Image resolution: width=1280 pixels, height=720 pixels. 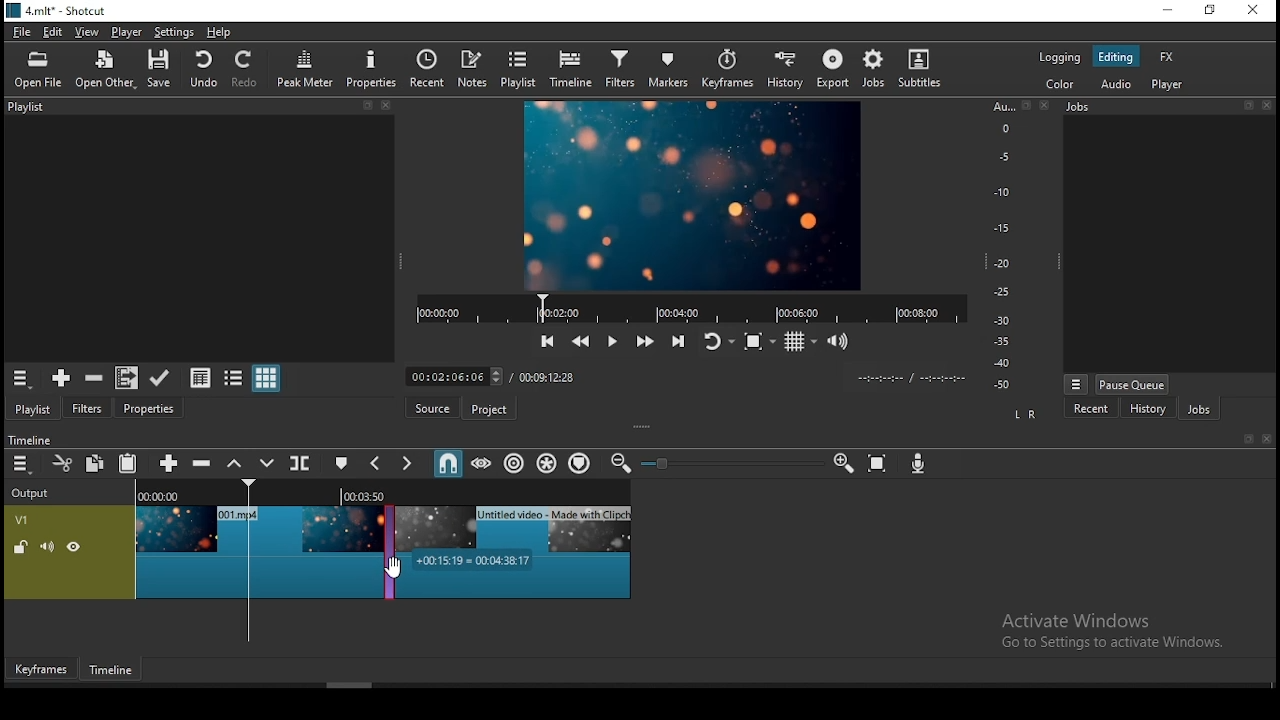 I want to click on elapsed time, so click(x=458, y=374).